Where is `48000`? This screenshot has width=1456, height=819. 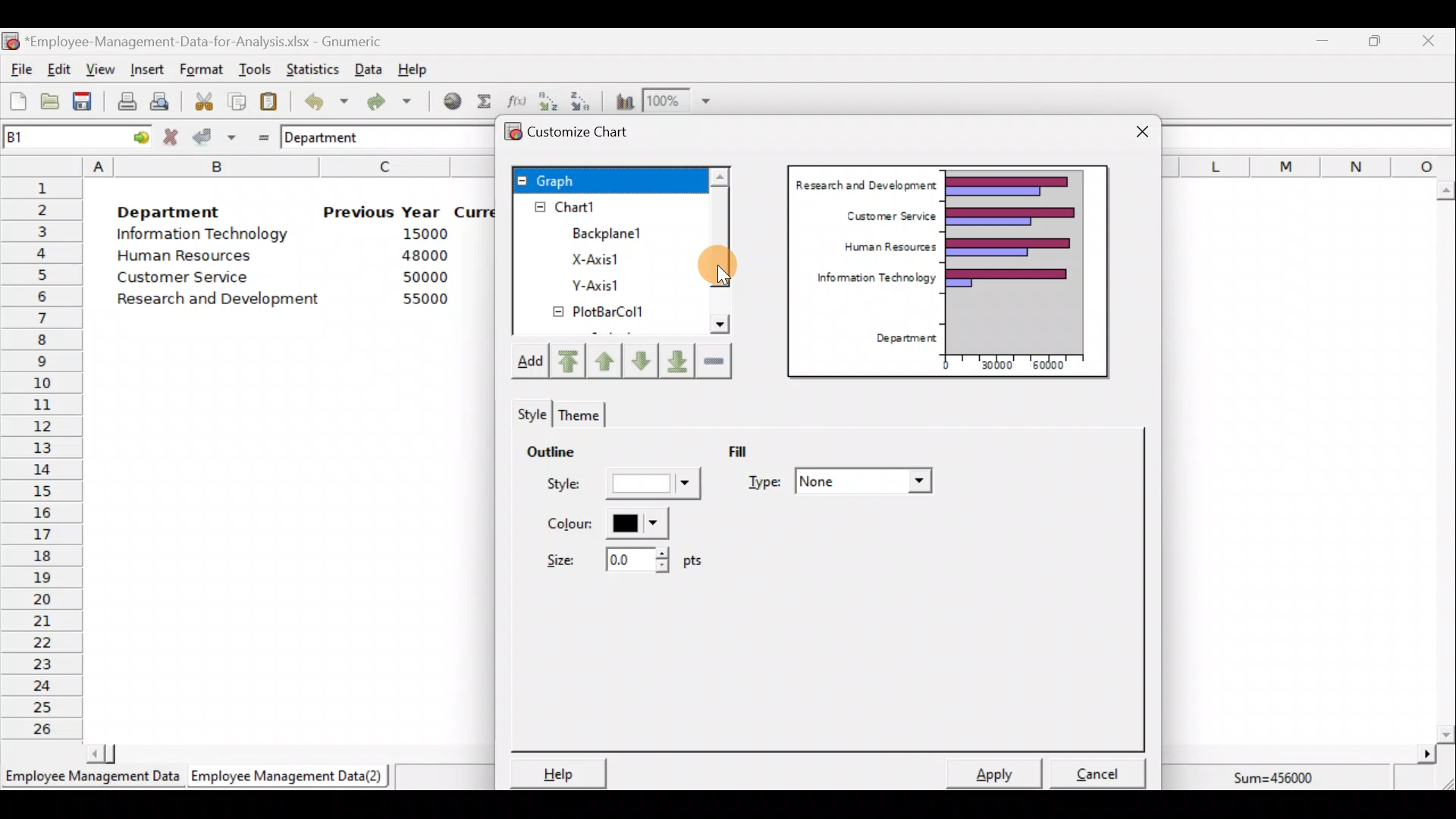
48000 is located at coordinates (424, 256).